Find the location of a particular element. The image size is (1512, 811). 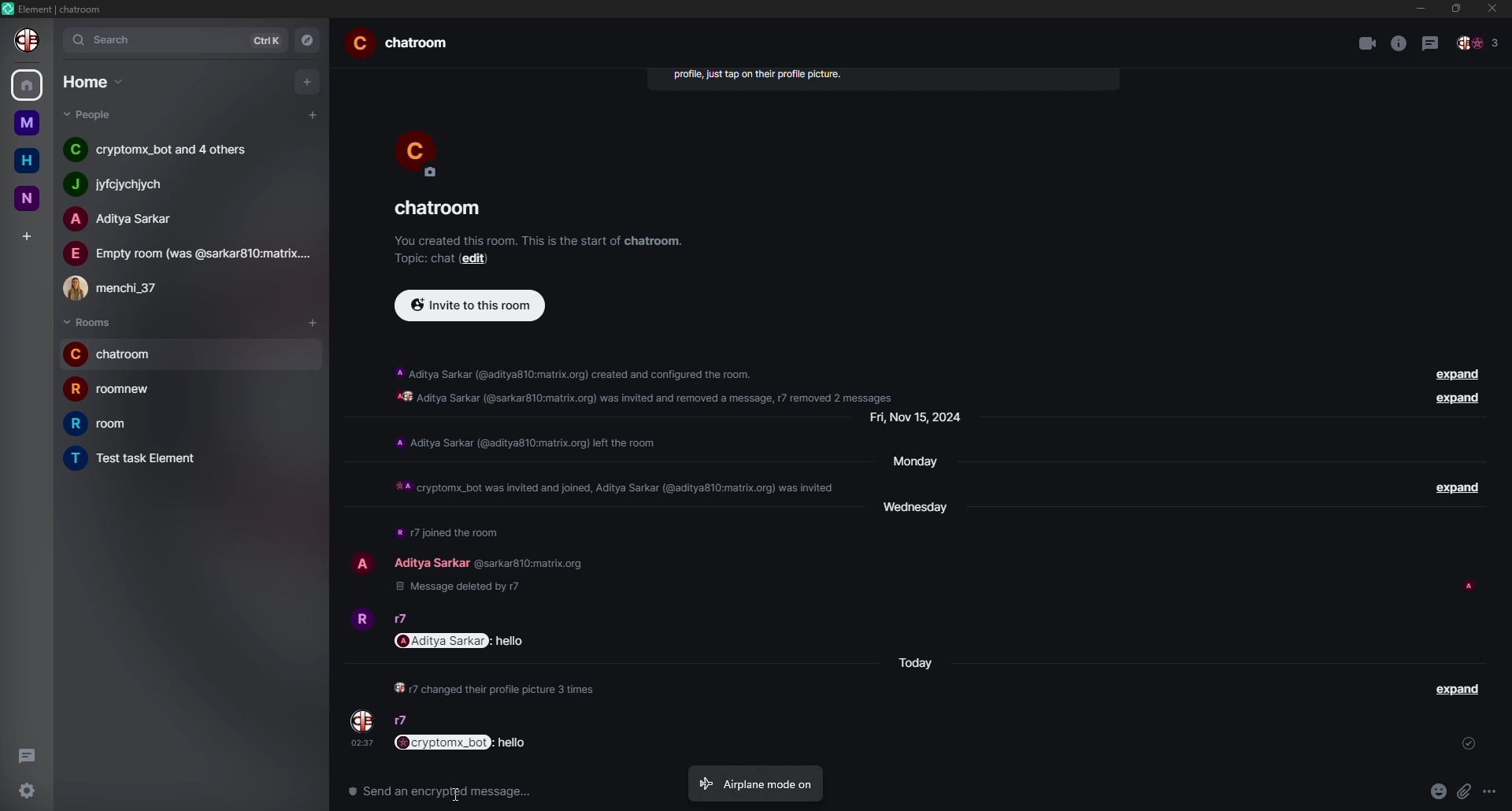

profile is located at coordinates (361, 719).